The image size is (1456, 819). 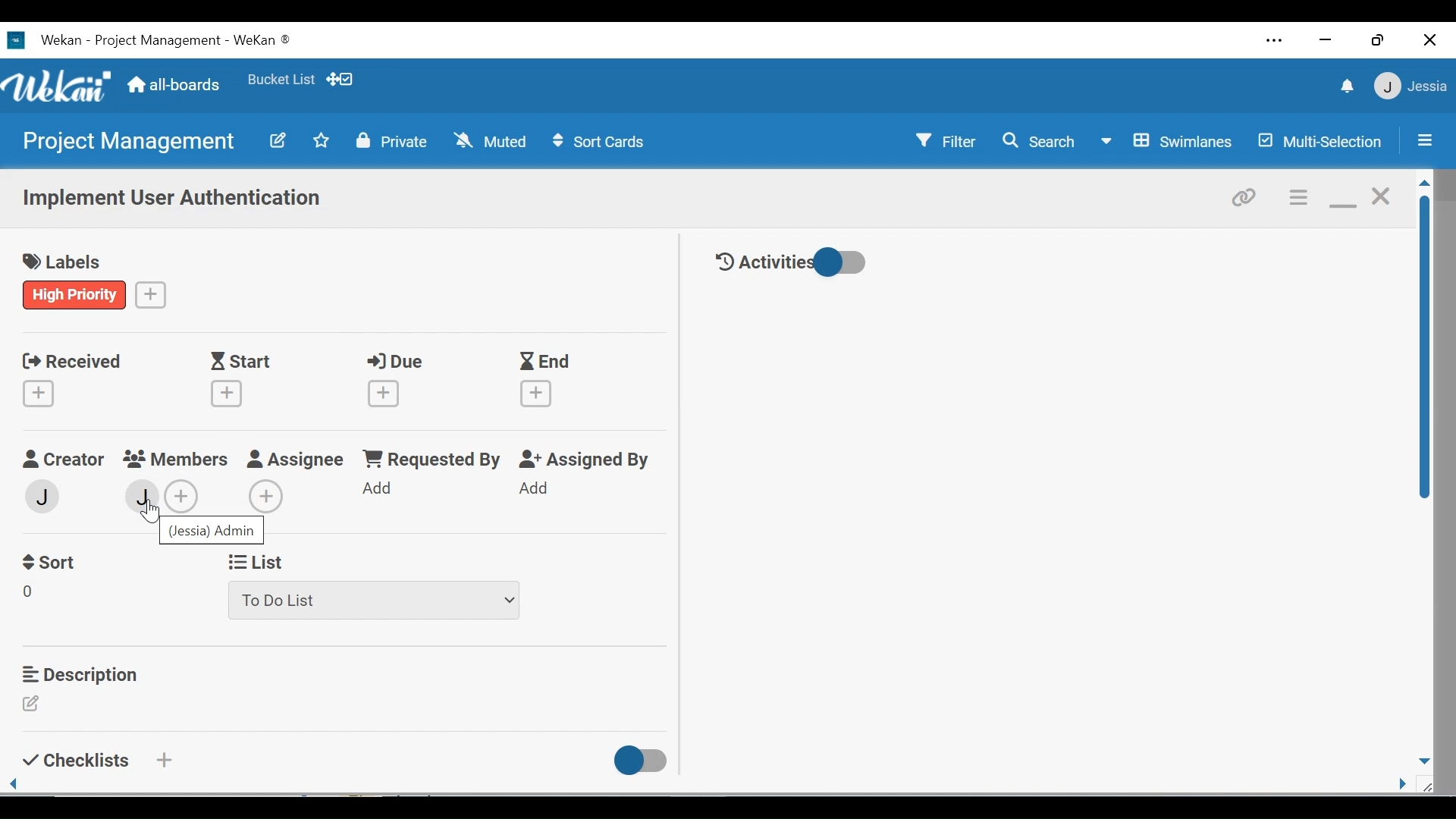 What do you see at coordinates (131, 143) in the screenshot?
I see `Project Management` at bounding box center [131, 143].